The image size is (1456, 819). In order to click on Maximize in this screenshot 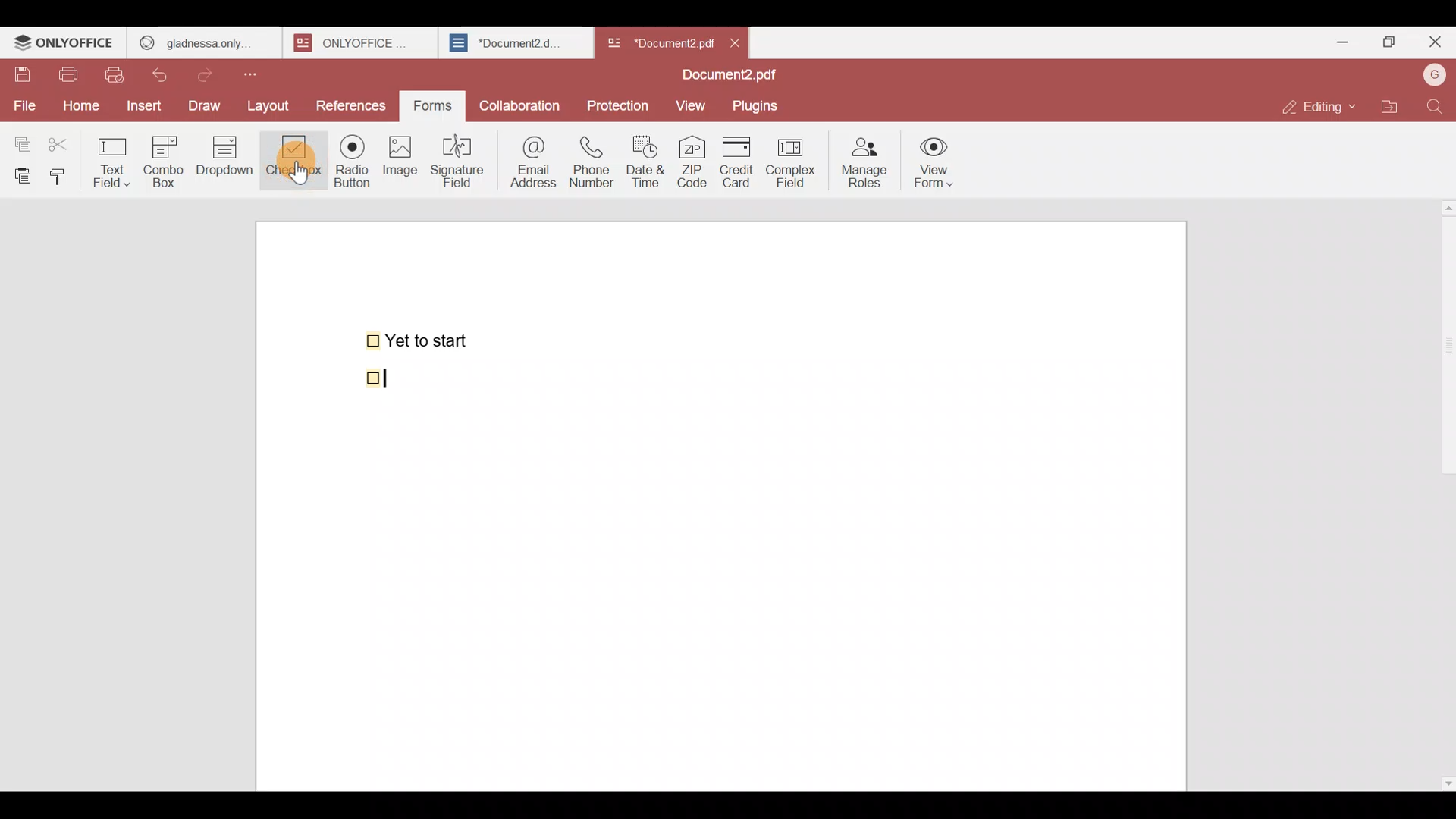, I will do `click(1386, 41)`.